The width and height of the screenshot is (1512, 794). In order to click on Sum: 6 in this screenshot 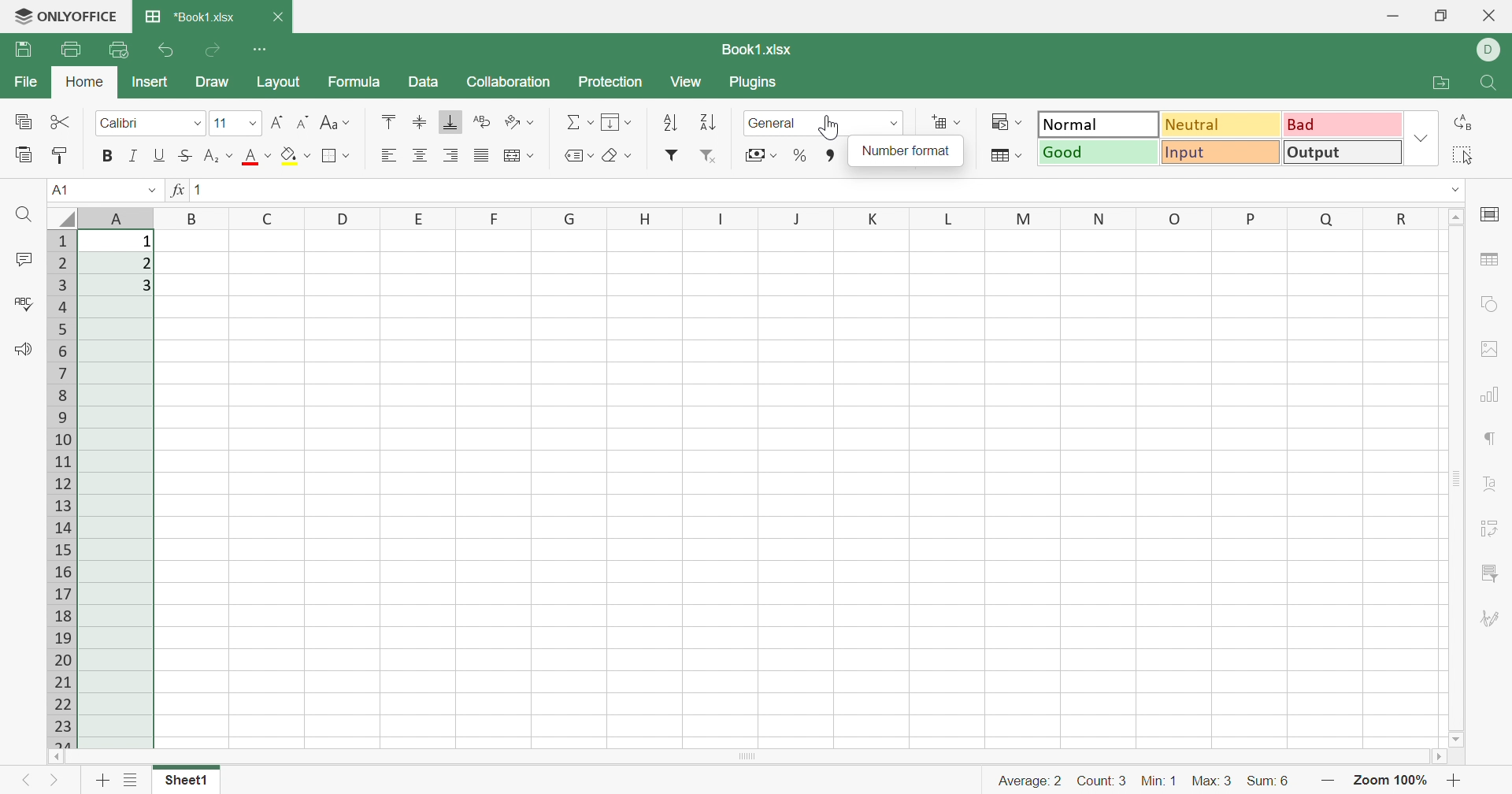, I will do `click(1267, 782)`.